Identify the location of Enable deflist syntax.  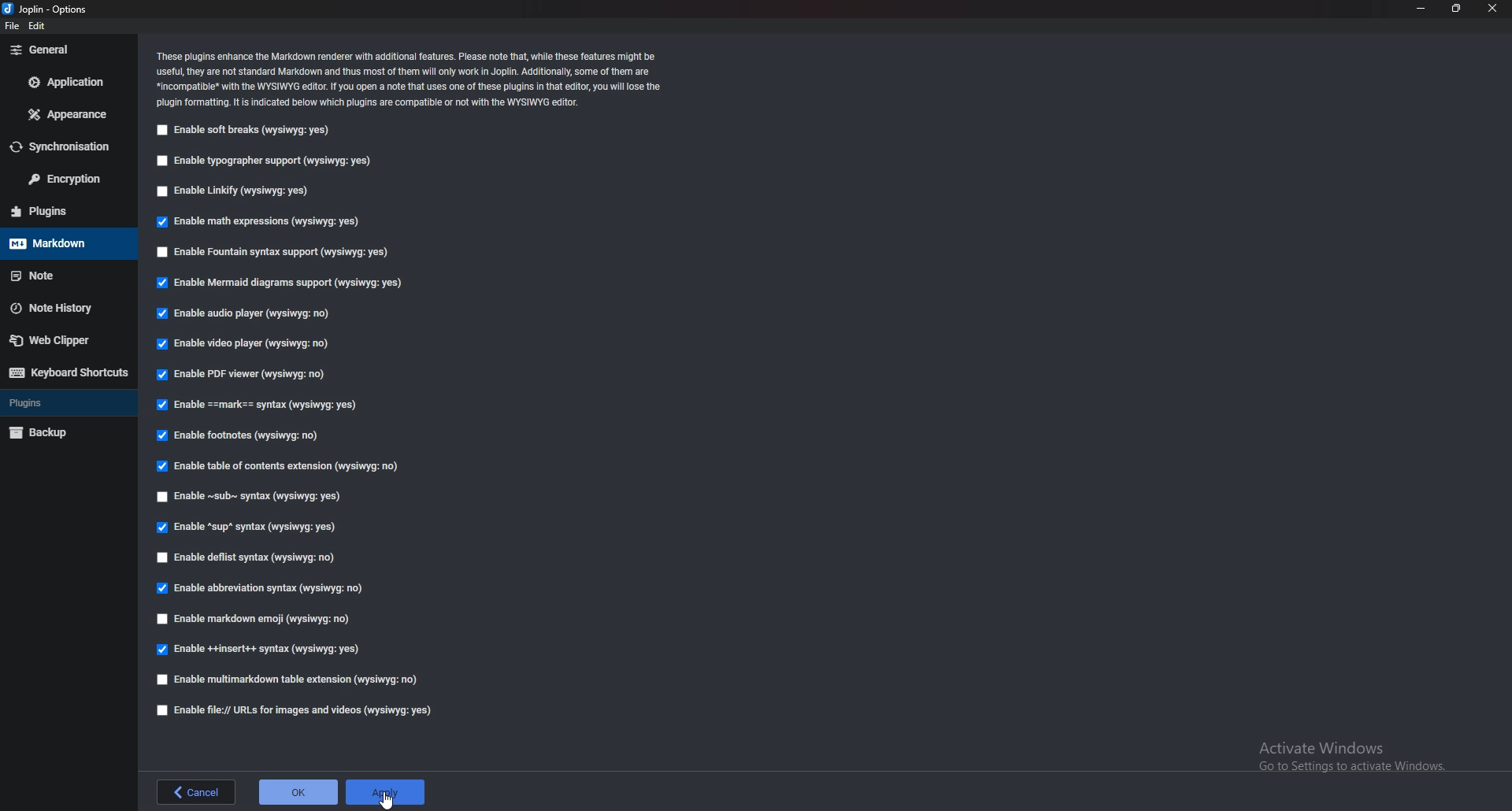
(250, 554).